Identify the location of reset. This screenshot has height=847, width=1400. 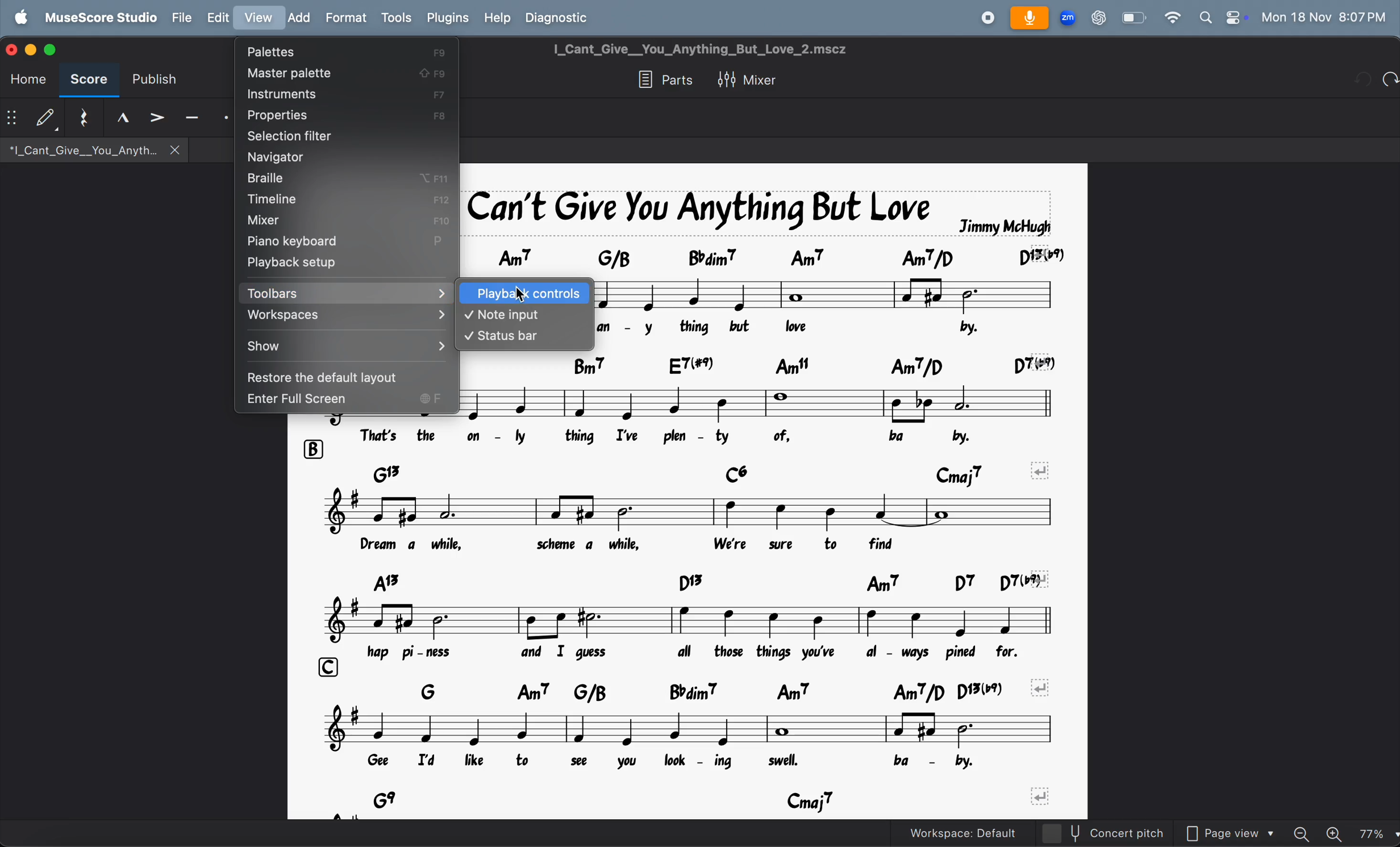
(79, 118).